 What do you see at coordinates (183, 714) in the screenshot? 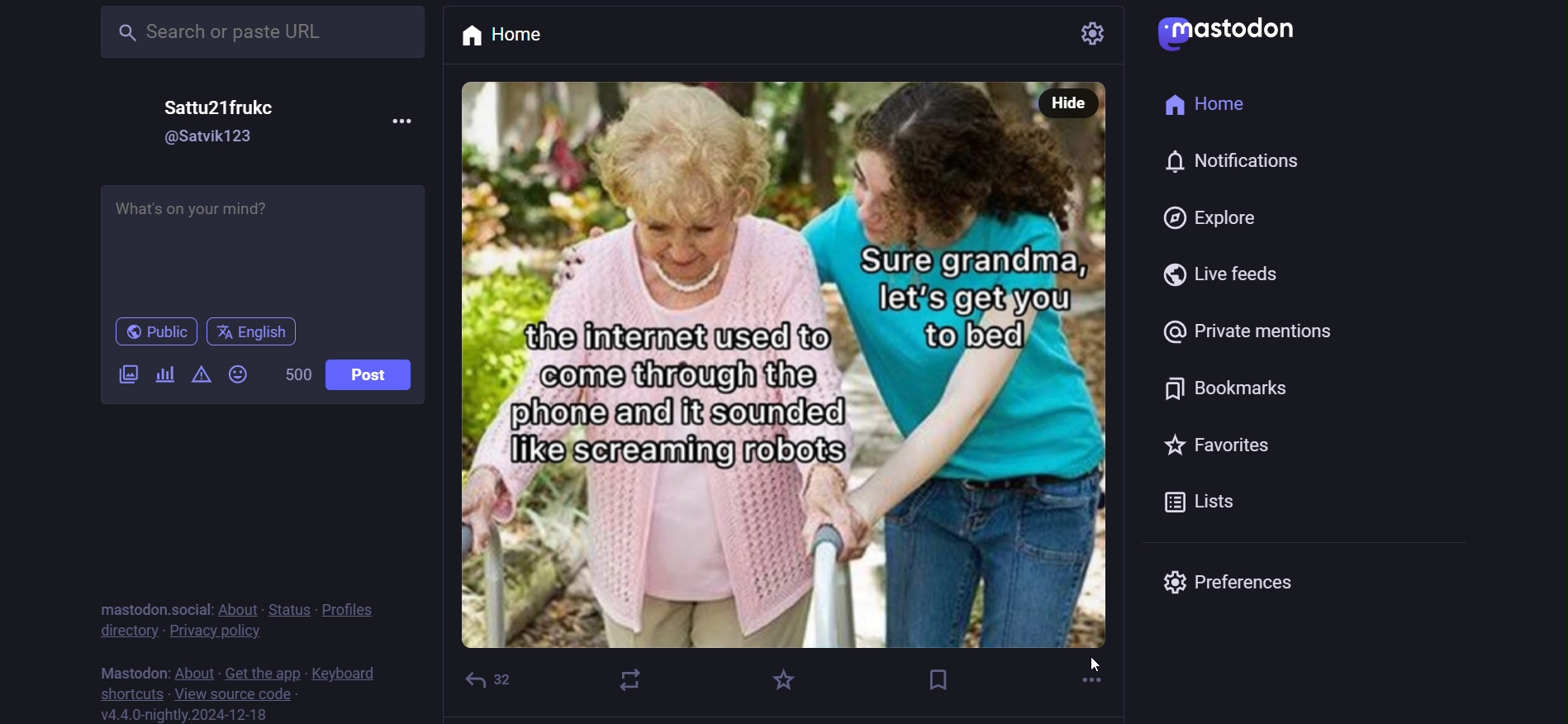
I see `version` at bounding box center [183, 714].